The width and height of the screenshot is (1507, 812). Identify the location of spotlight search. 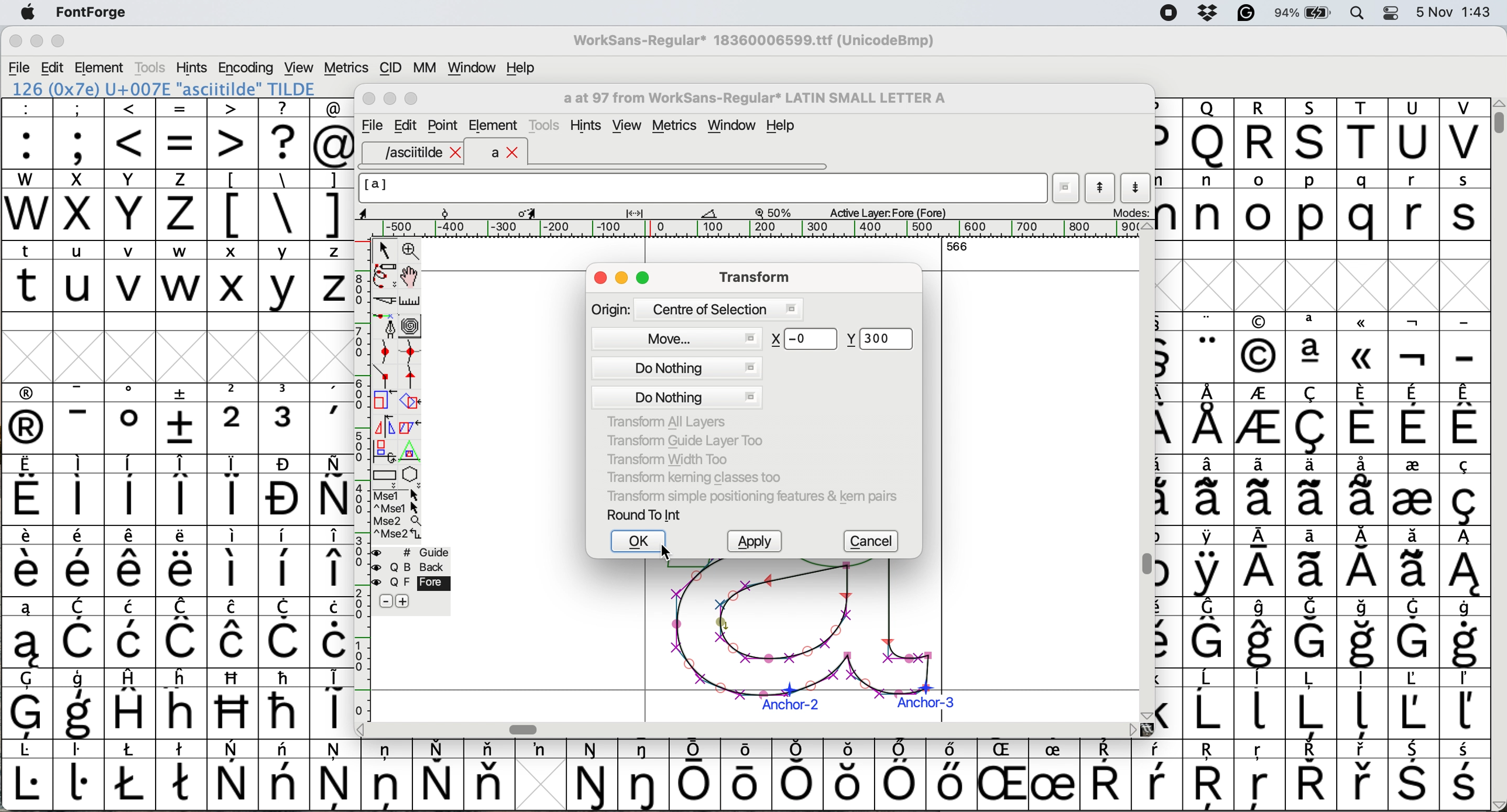
(1364, 12).